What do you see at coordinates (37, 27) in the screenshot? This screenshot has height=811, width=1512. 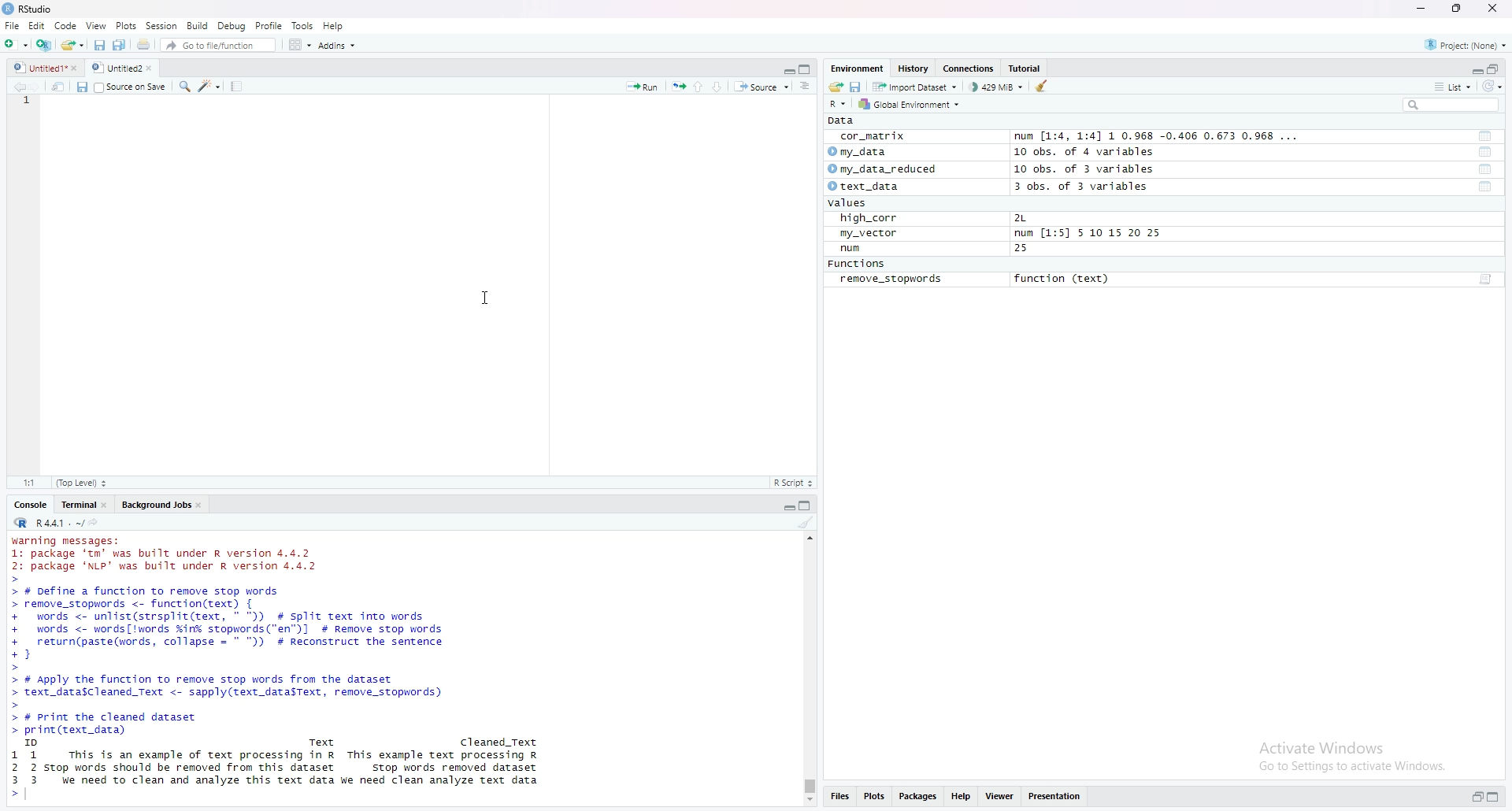 I see `` at bounding box center [37, 27].